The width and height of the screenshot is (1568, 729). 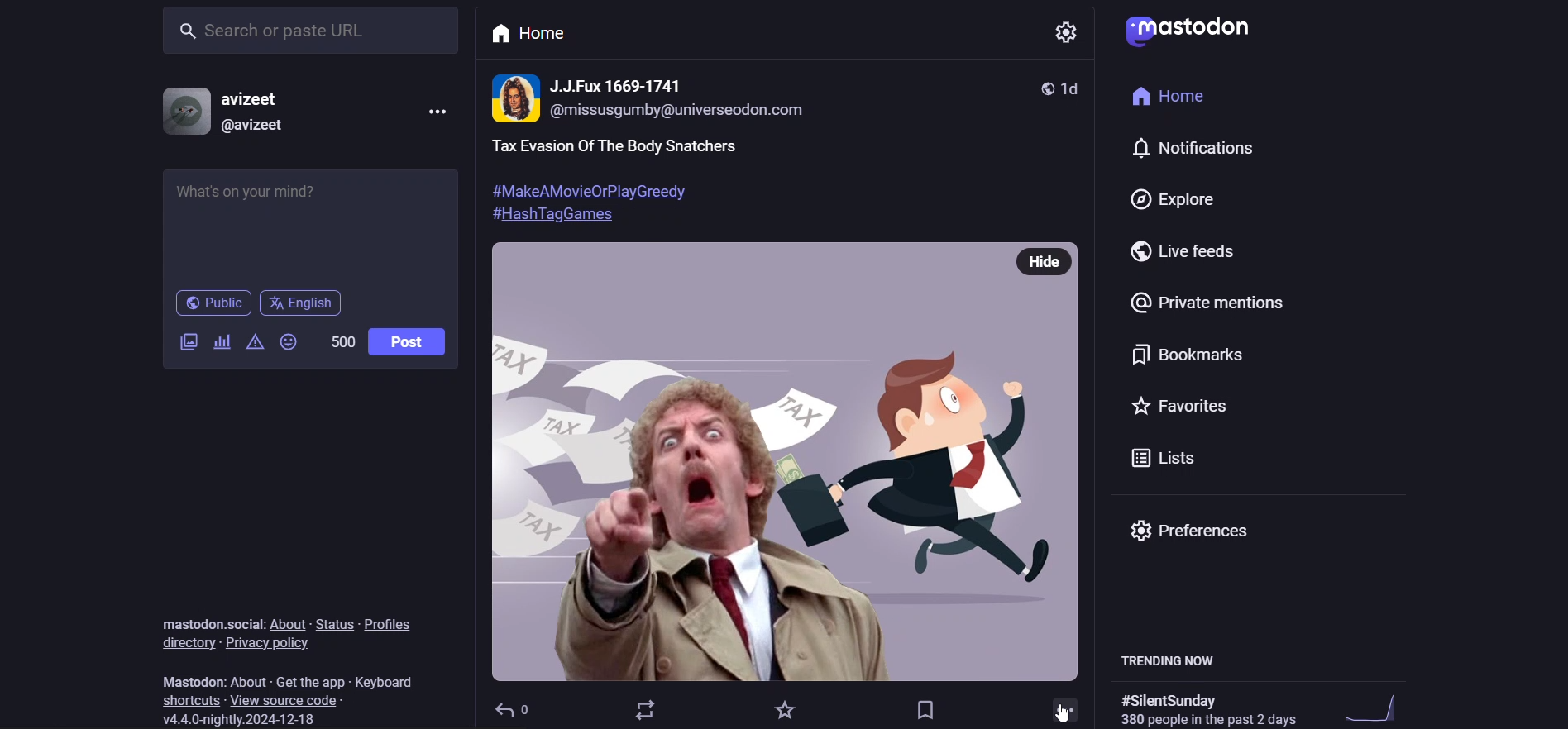 What do you see at coordinates (620, 83) in the screenshot?
I see `name` at bounding box center [620, 83].